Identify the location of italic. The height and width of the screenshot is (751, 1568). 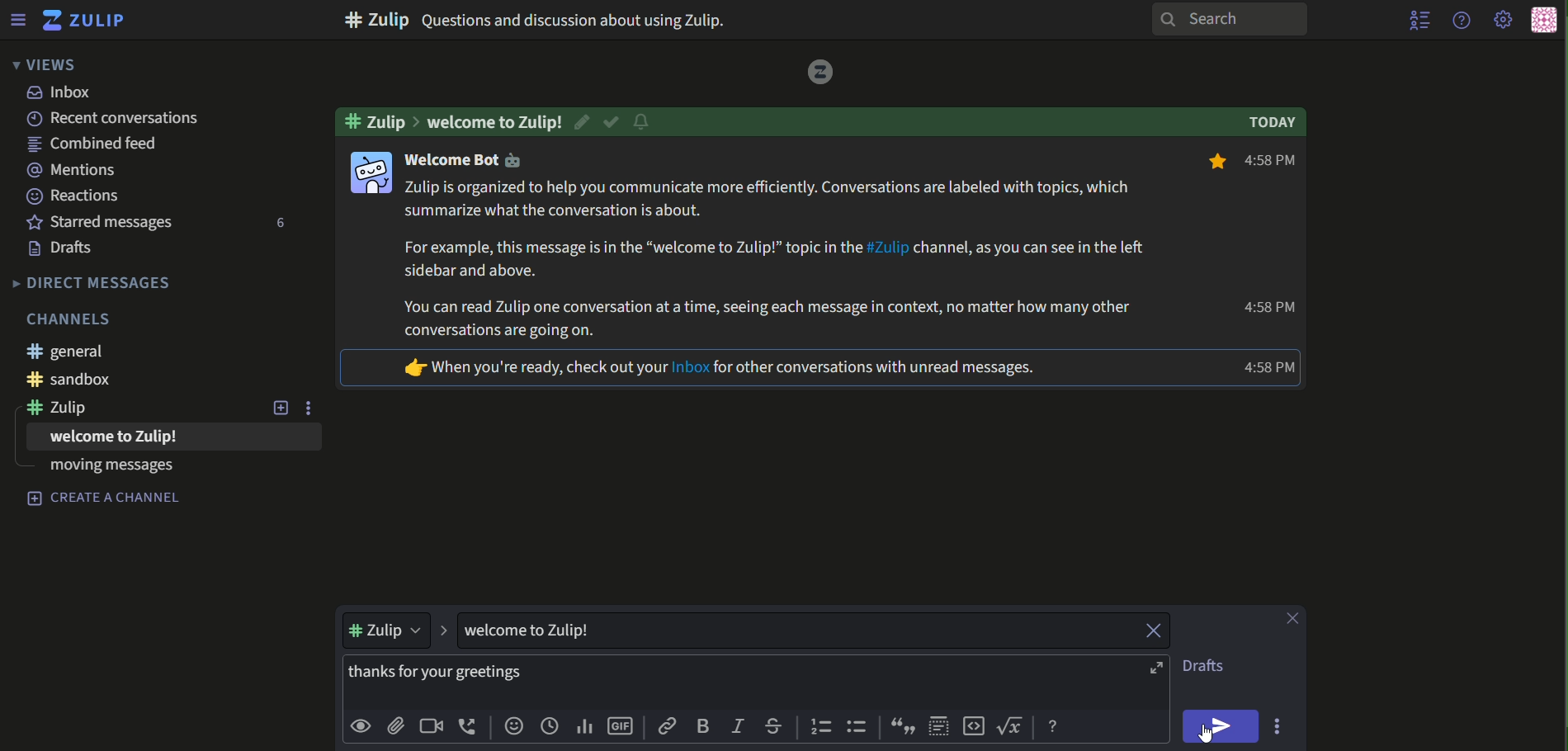
(739, 724).